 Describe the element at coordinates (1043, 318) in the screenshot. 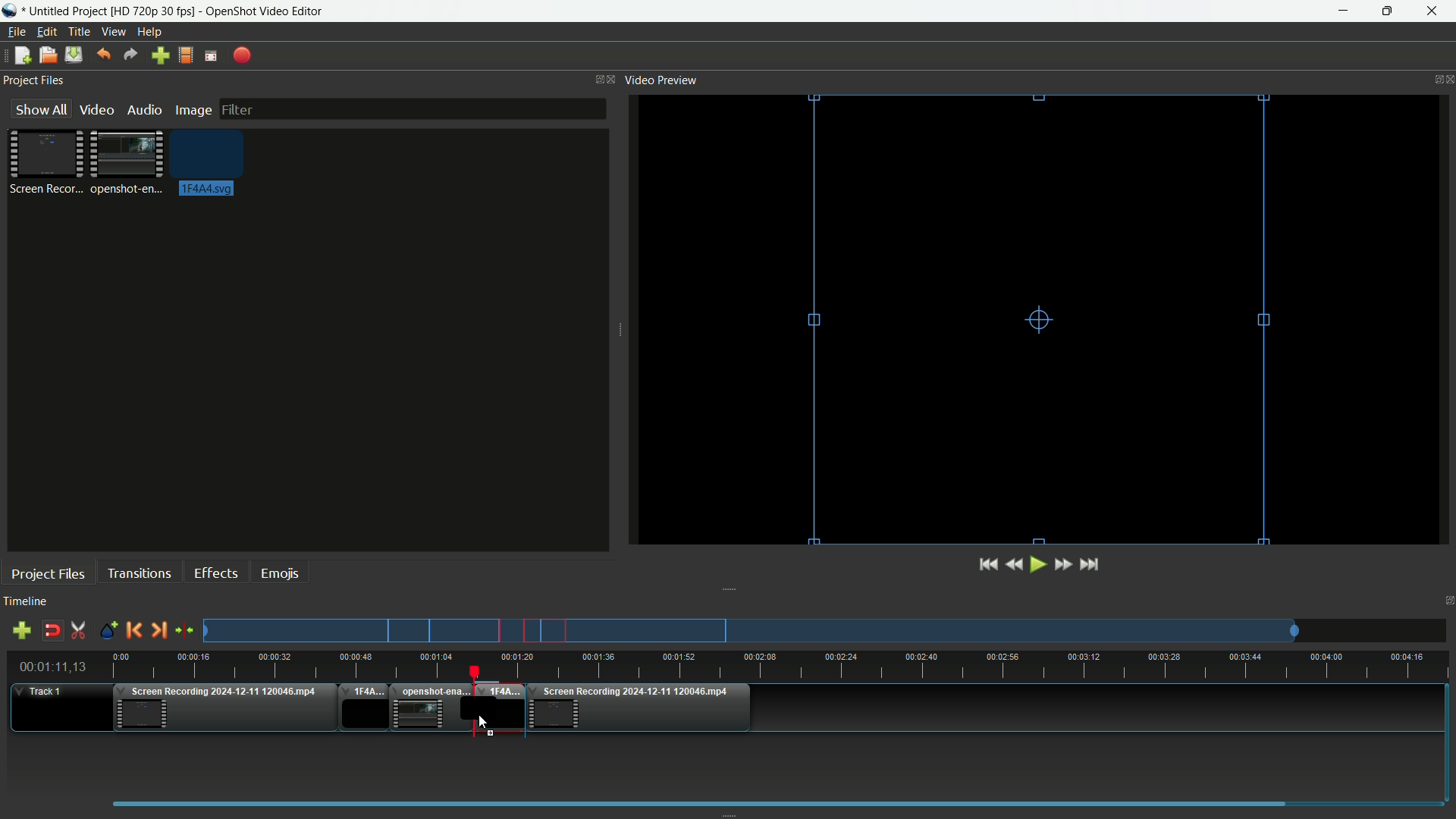

I see `video preview` at that location.